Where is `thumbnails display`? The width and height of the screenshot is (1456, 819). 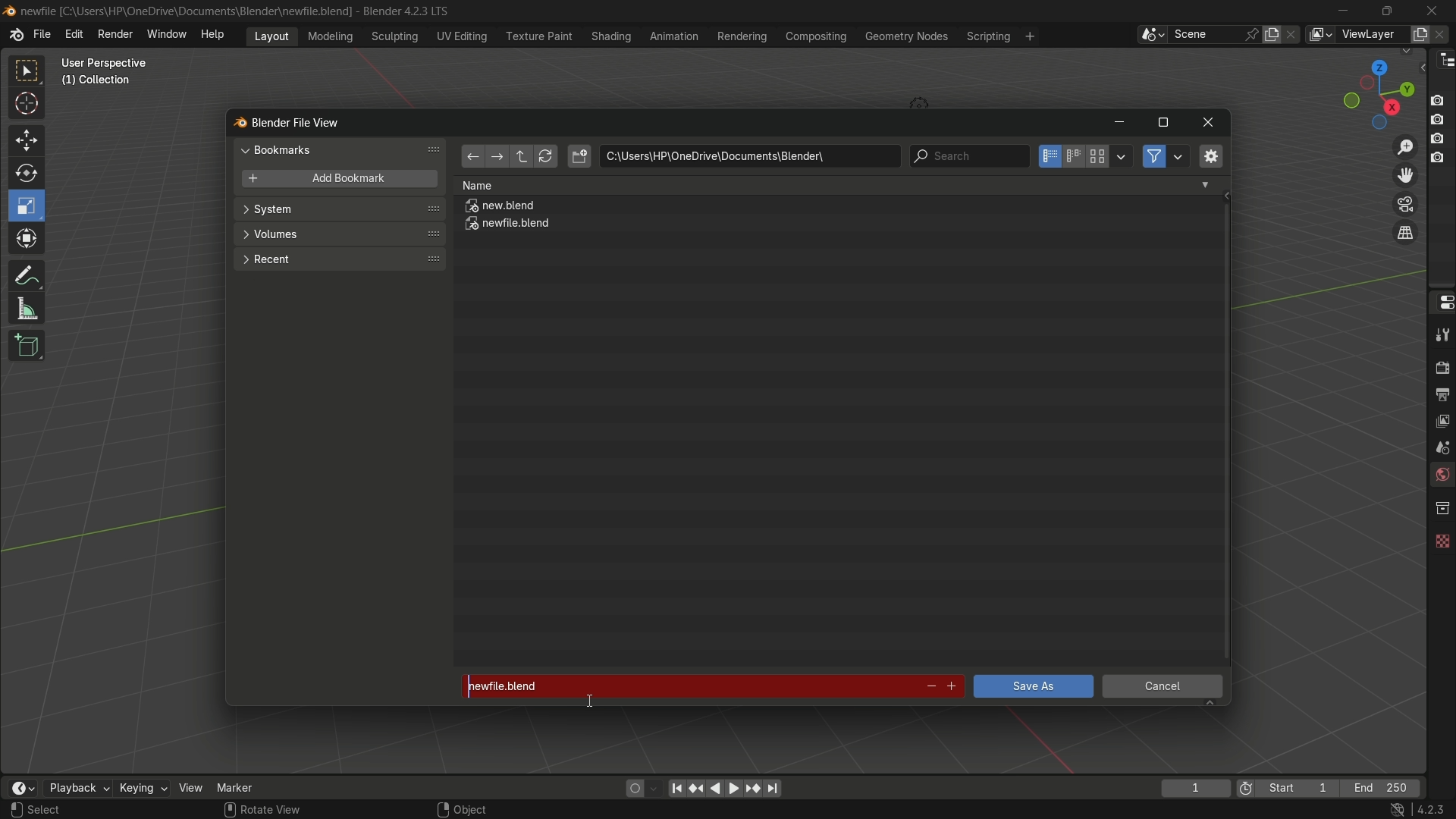 thumbnails display is located at coordinates (1098, 157).